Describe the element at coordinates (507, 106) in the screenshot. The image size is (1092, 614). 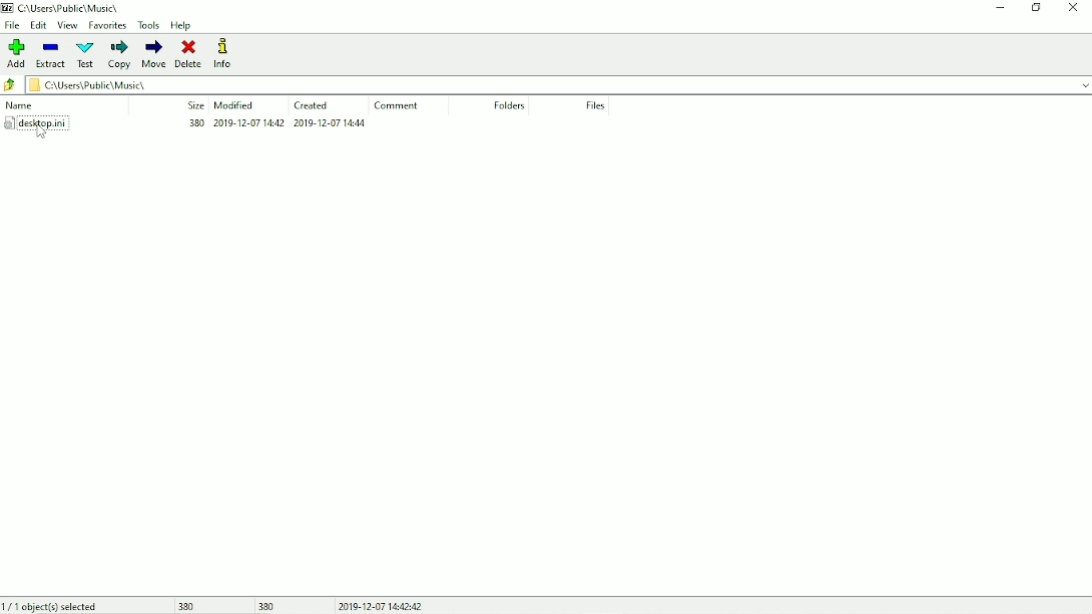
I see `Folders` at that location.